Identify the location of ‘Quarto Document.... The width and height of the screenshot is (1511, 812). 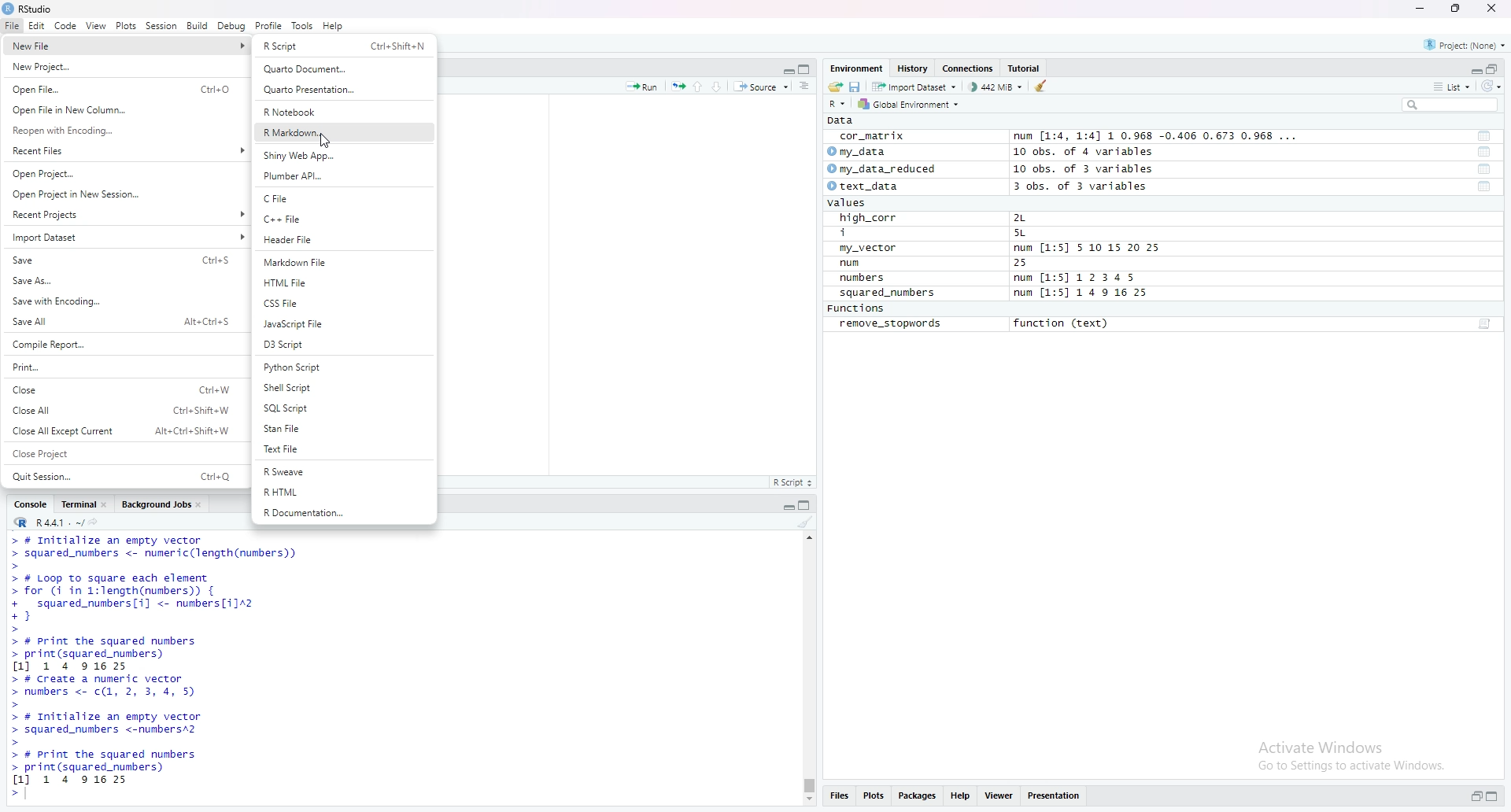
(345, 70).